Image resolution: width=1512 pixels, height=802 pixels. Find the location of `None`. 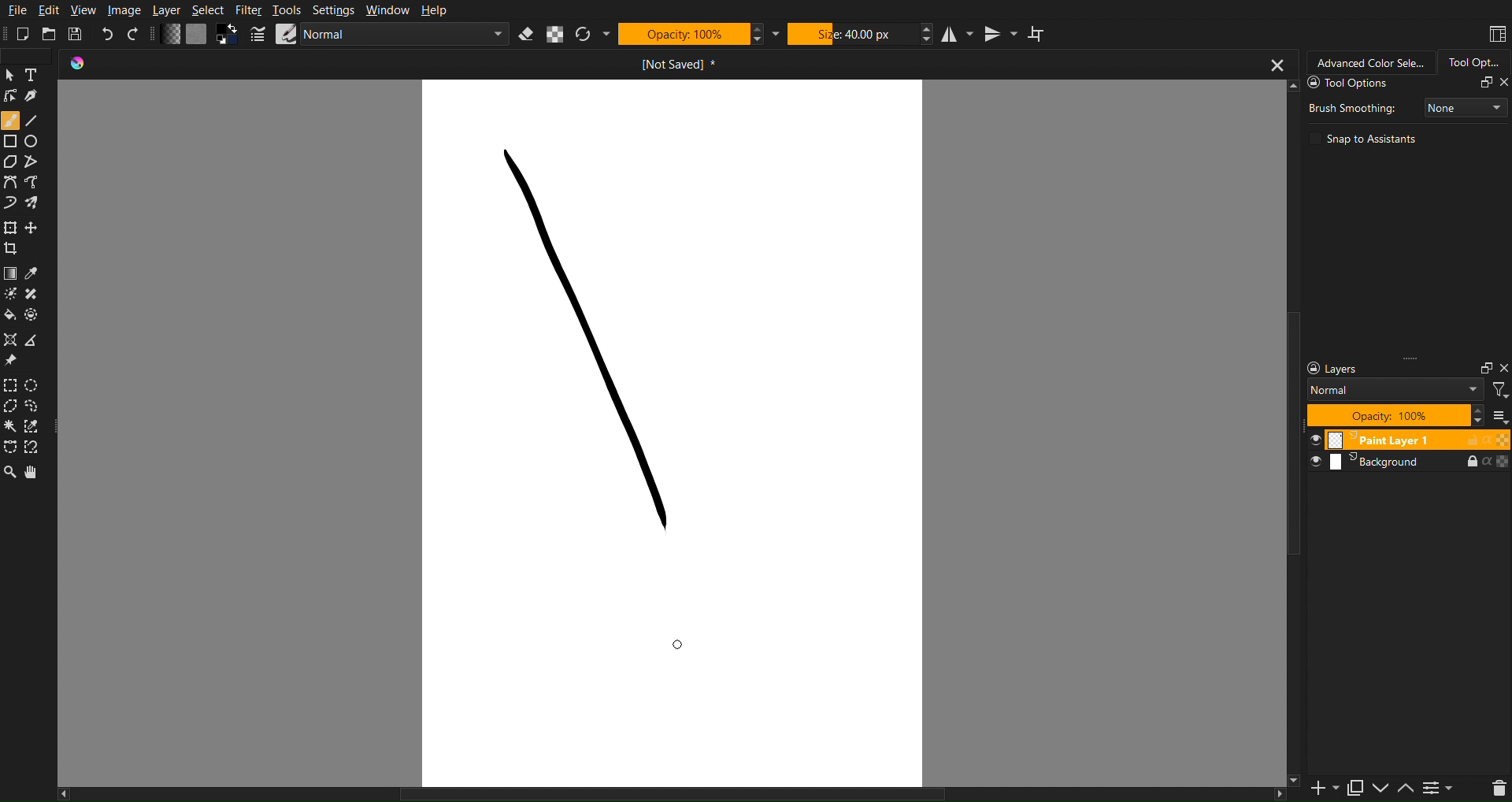

None is located at coordinates (1464, 106).